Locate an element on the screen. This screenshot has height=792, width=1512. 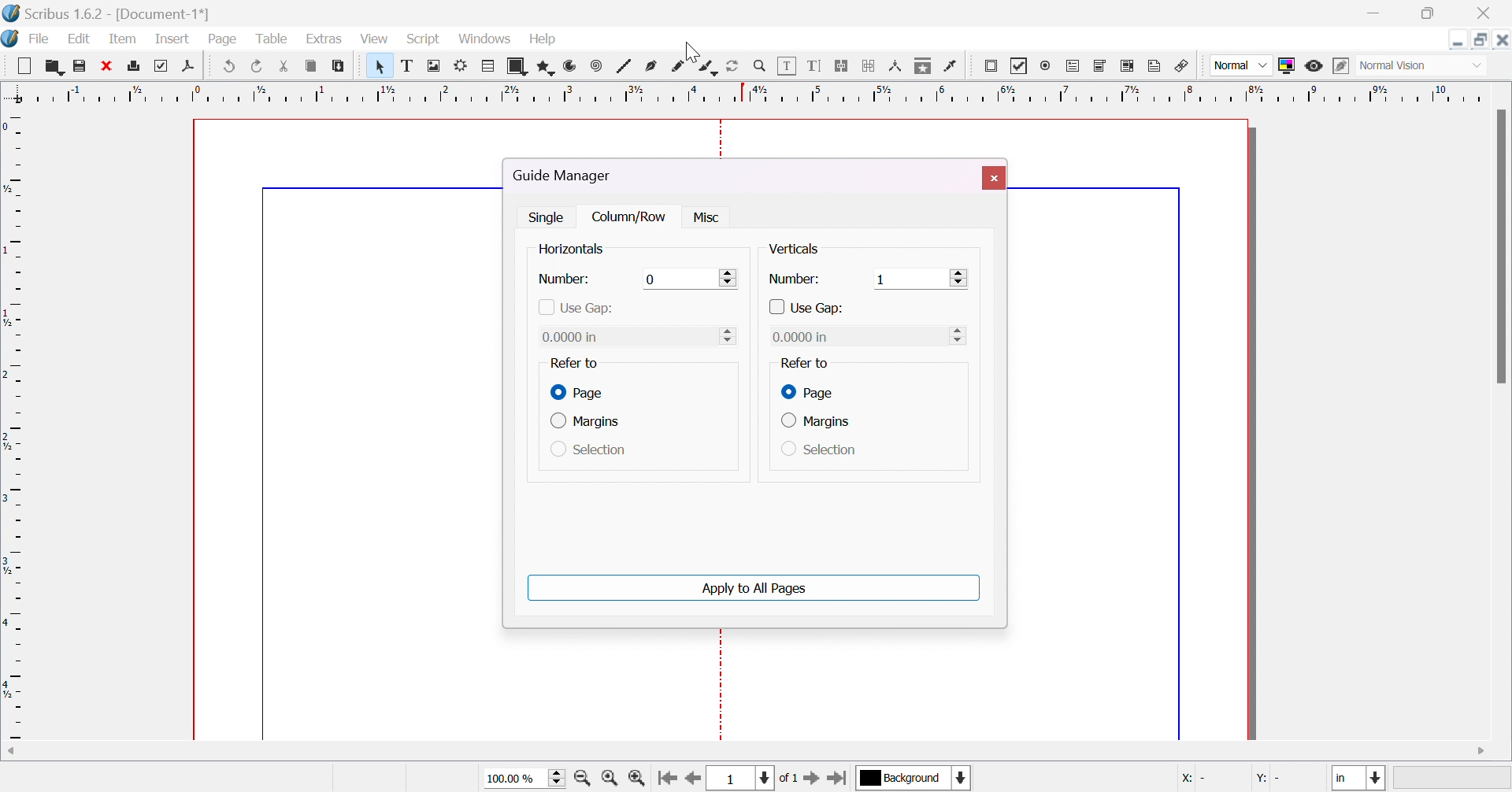
0.0000 in is located at coordinates (575, 337).